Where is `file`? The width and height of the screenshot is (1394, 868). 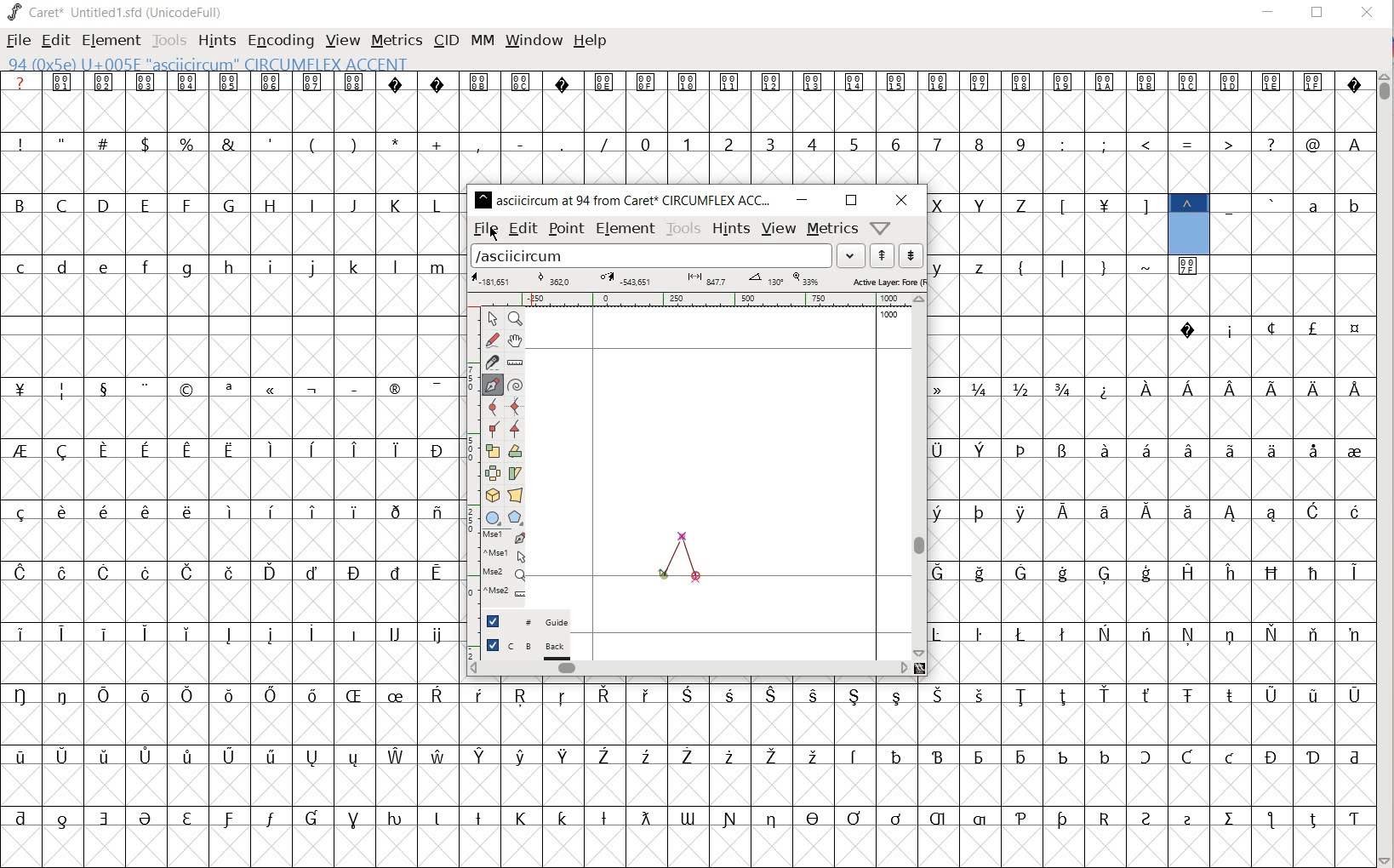
file is located at coordinates (485, 230).